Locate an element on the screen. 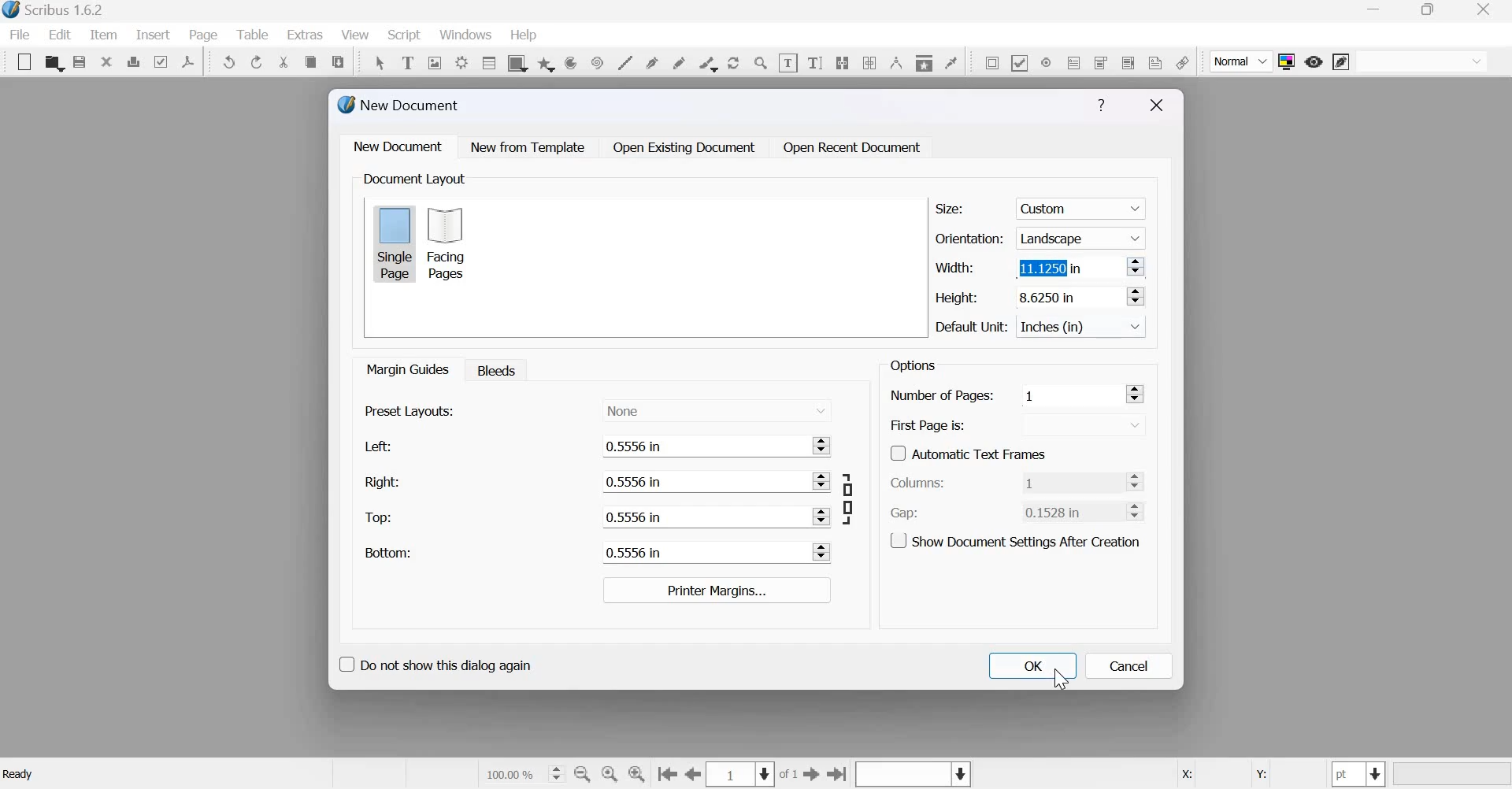 The image size is (1512, 789). line is located at coordinates (624, 61).